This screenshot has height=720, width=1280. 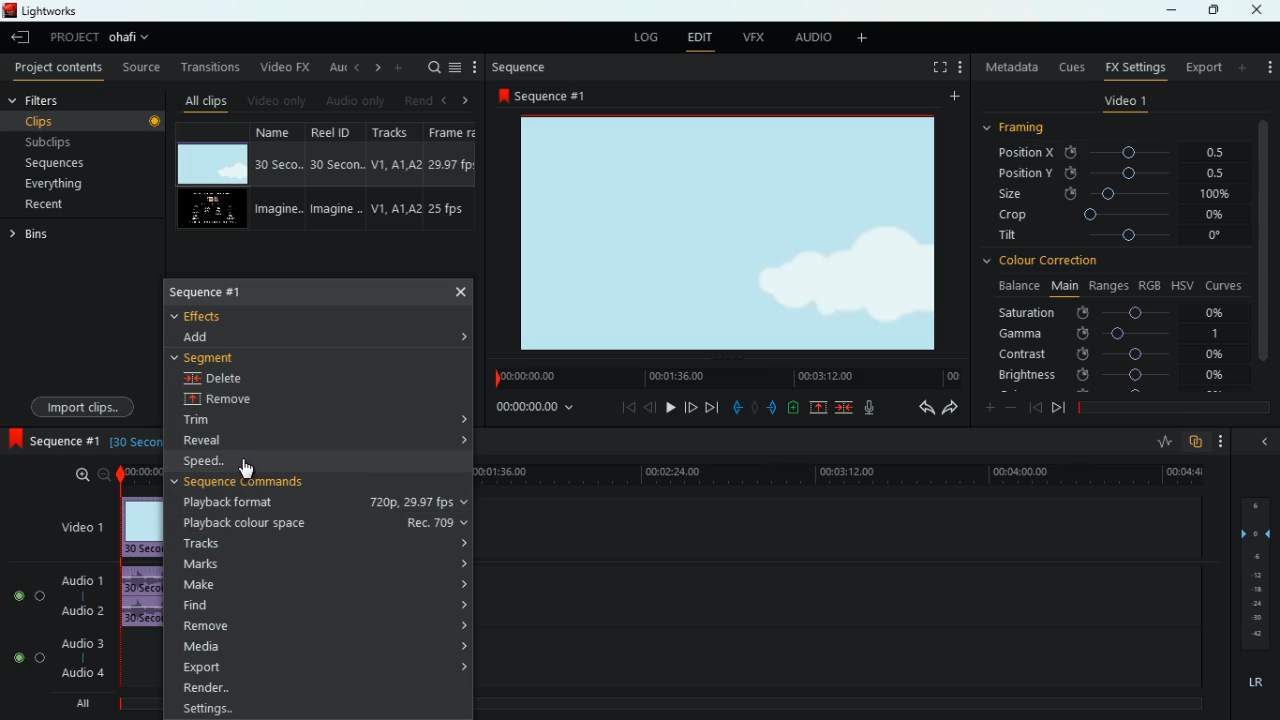 I want to click on right, so click(x=374, y=67).